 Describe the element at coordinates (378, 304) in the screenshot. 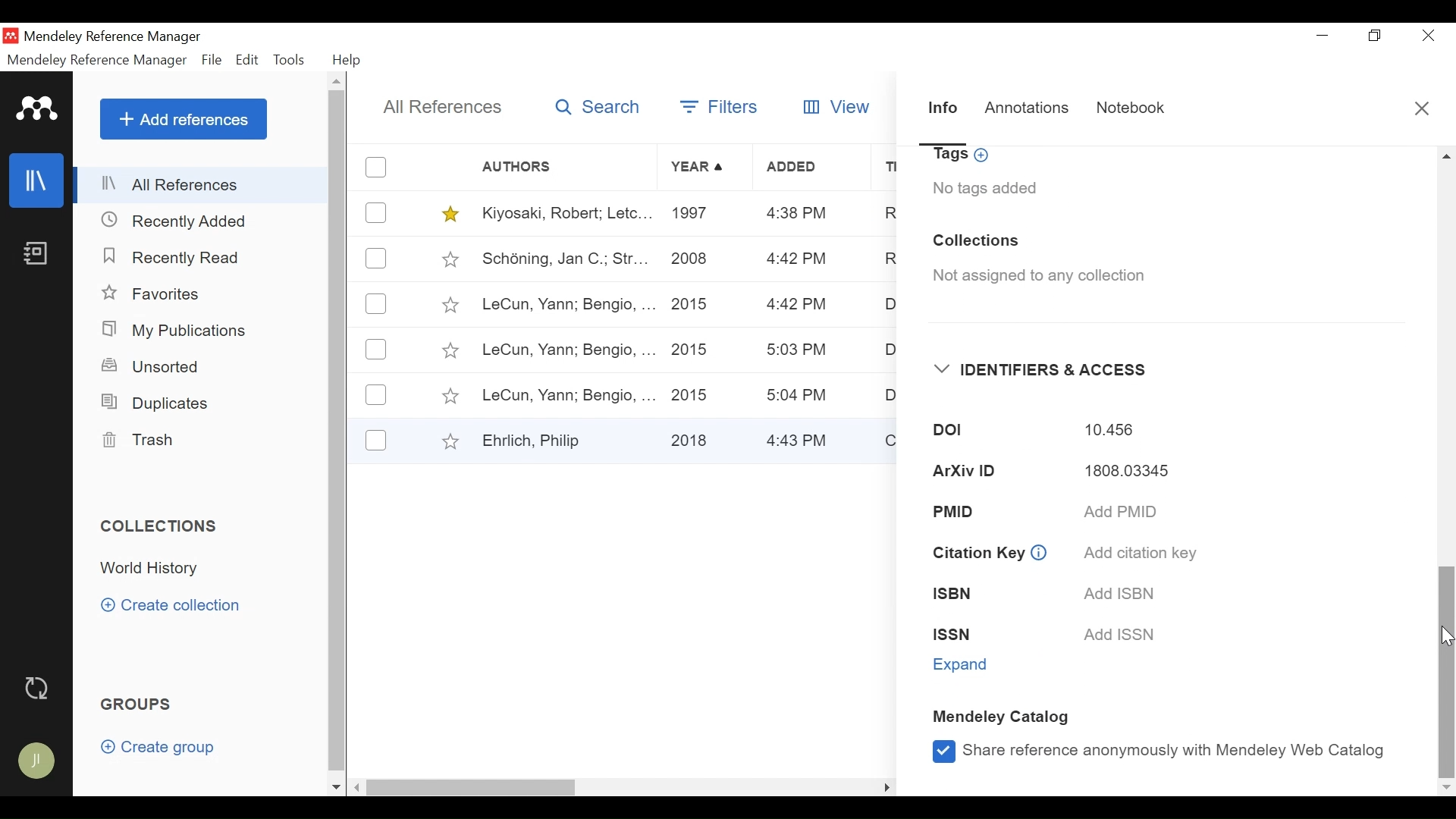

I see `(un)select` at that location.